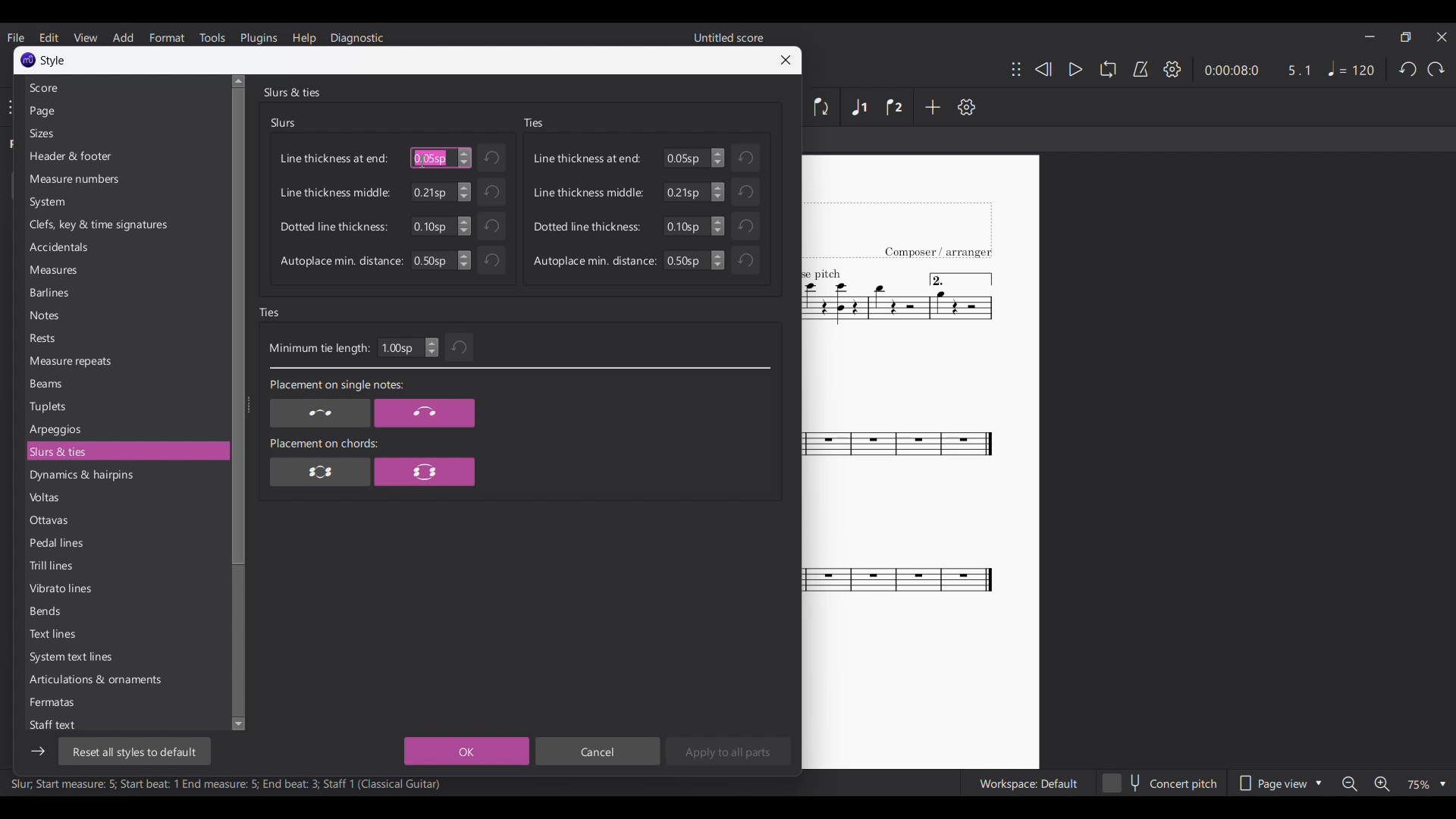 This screenshot has height=819, width=1456. Describe the element at coordinates (595, 261) in the screenshot. I see `Autoplace min. distance` at that location.